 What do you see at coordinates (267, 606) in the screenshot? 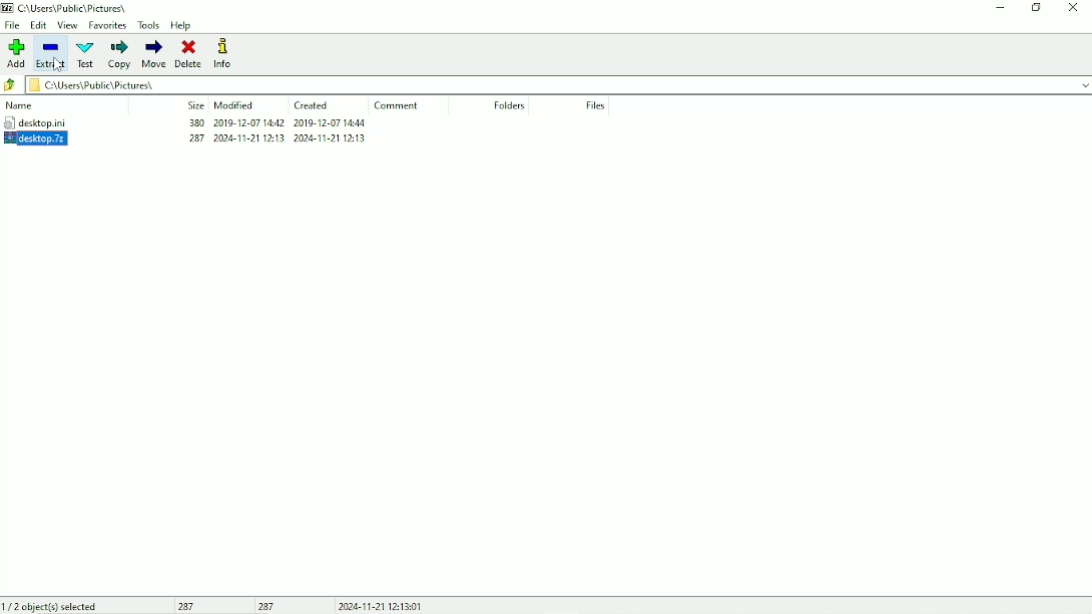
I see `287` at bounding box center [267, 606].